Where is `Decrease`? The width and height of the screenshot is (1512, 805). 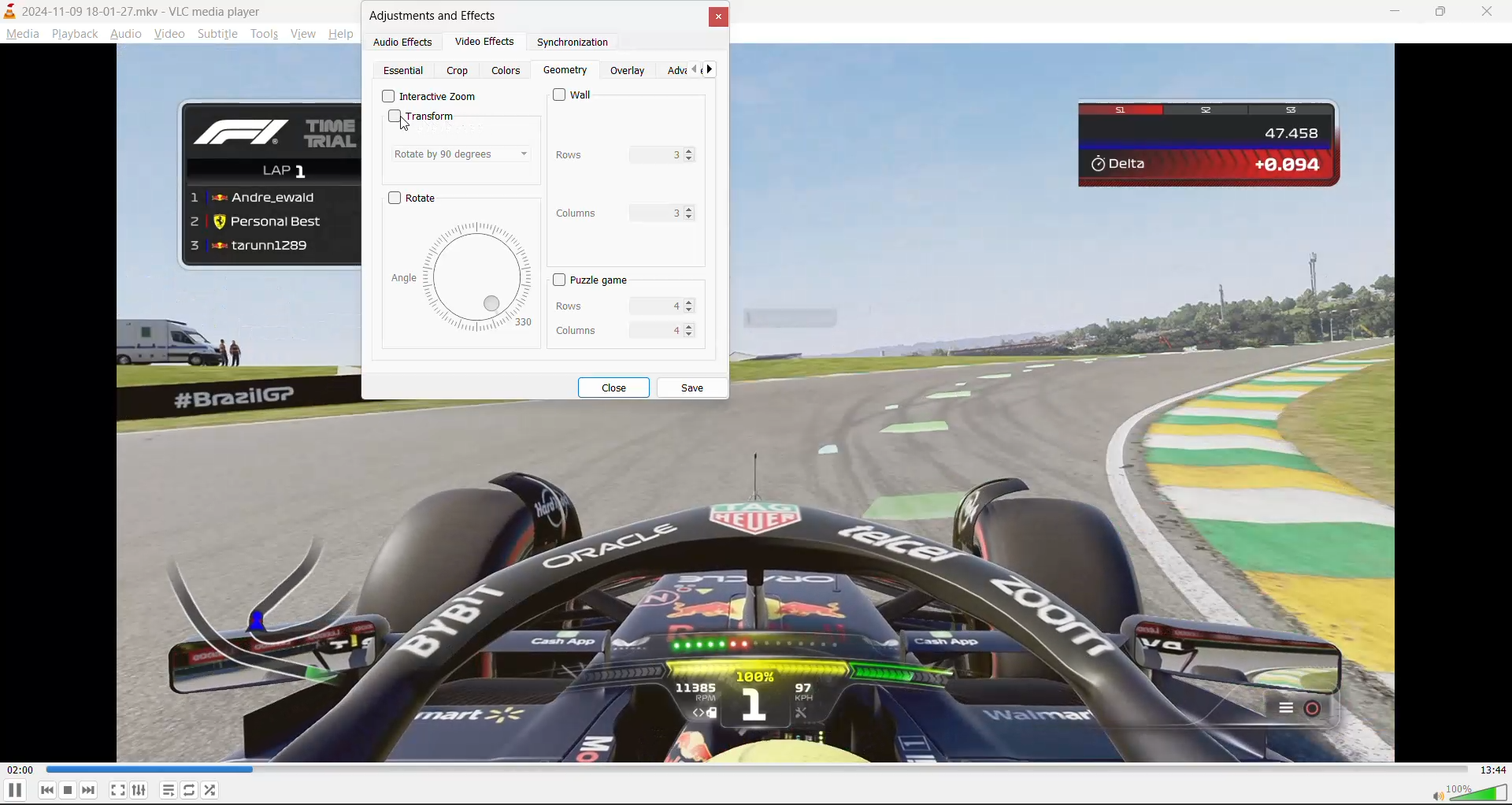
Decrease is located at coordinates (690, 337).